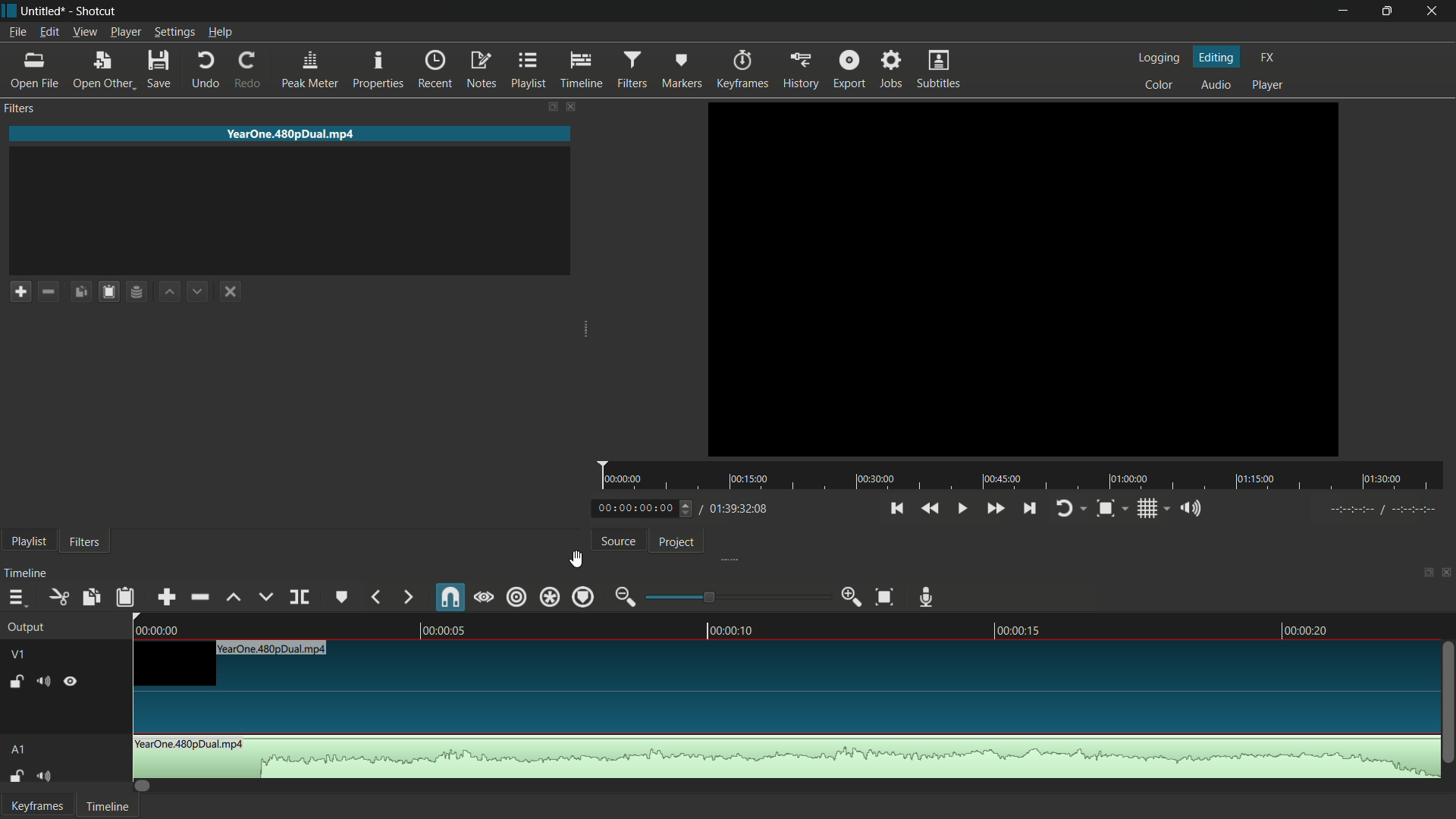 This screenshot has height=819, width=1456. Describe the element at coordinates (234, 600) in the screenshot. I see `lift` at that location.